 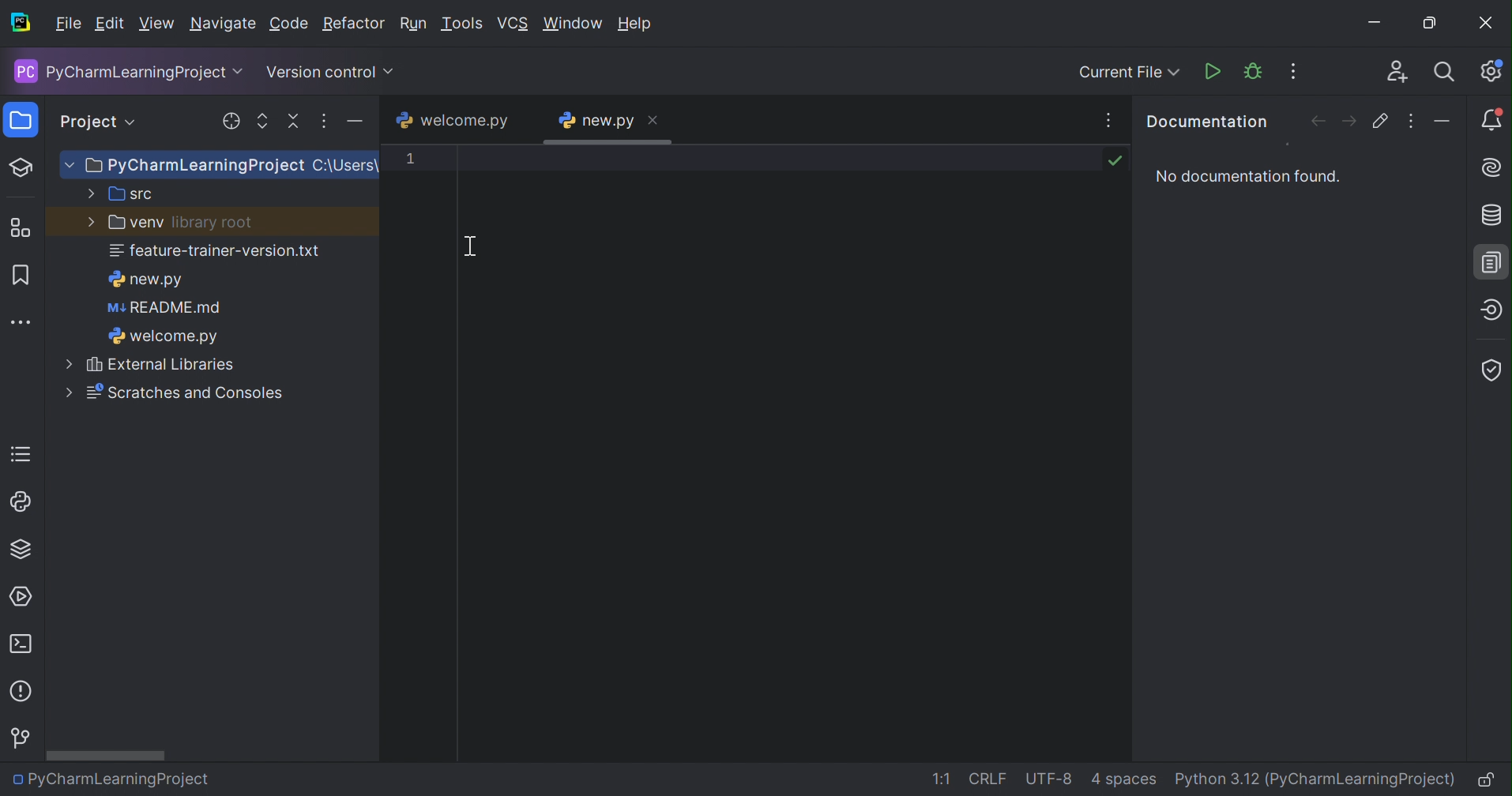 What do you see at coordinates (573, 22) in the screenshot?
I see `Window` at bounding box center [573, 22].